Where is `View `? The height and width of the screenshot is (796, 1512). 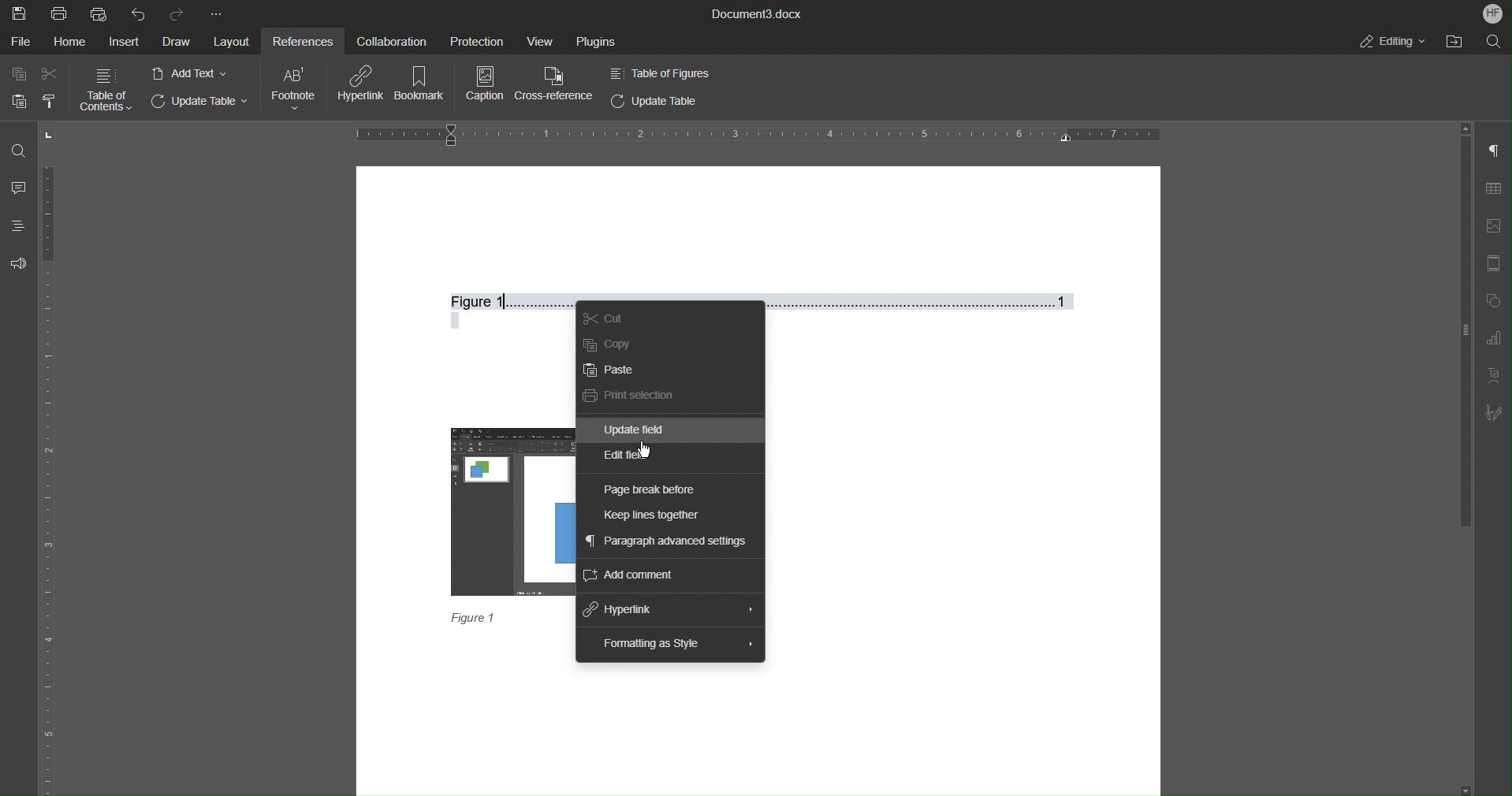
View  is located at coordinates (534, 39).